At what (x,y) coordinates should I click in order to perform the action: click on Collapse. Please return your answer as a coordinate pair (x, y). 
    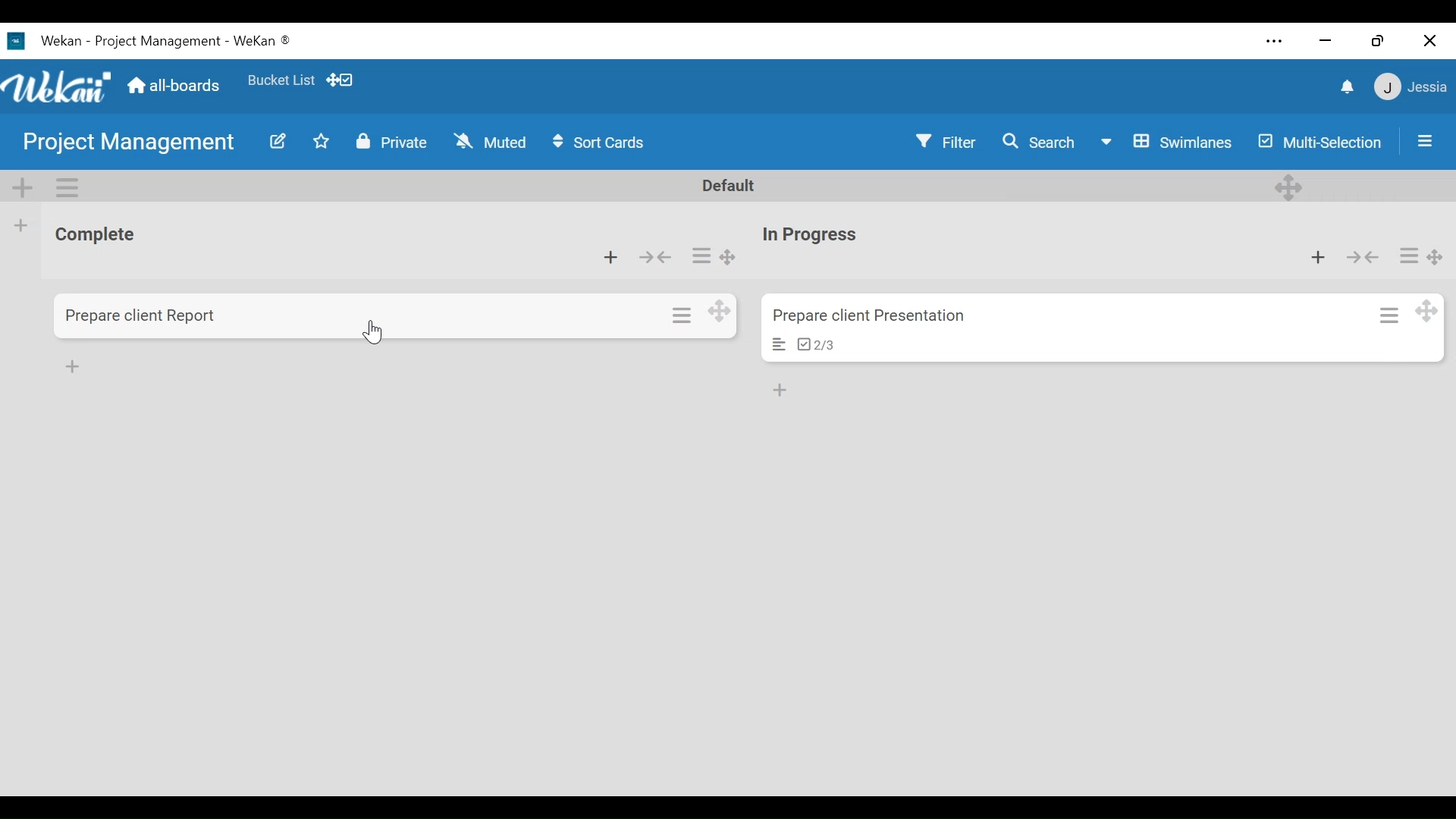
    Looking at the image, I should click on (657, 259).